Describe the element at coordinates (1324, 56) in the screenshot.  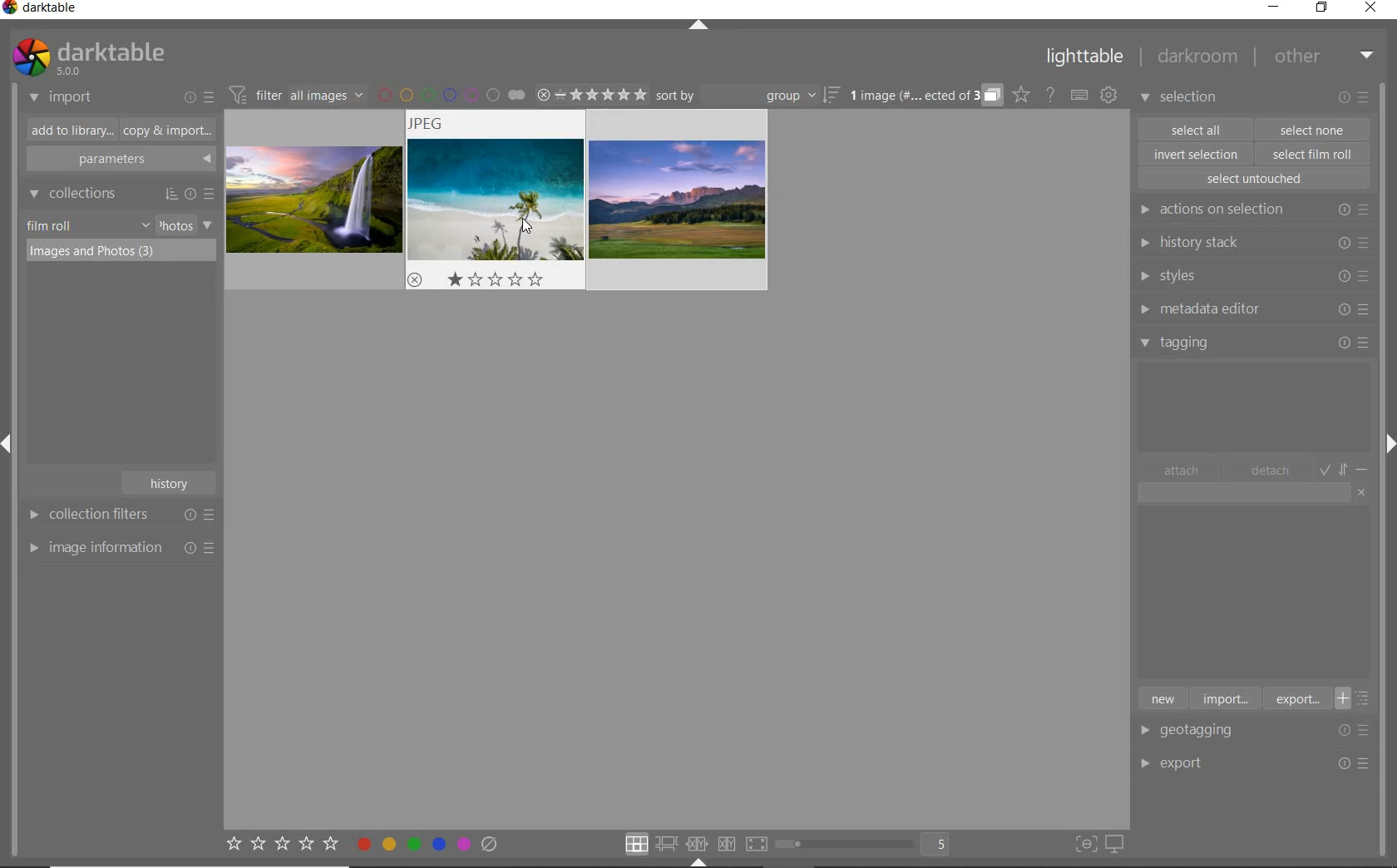
I see `other` at that location.